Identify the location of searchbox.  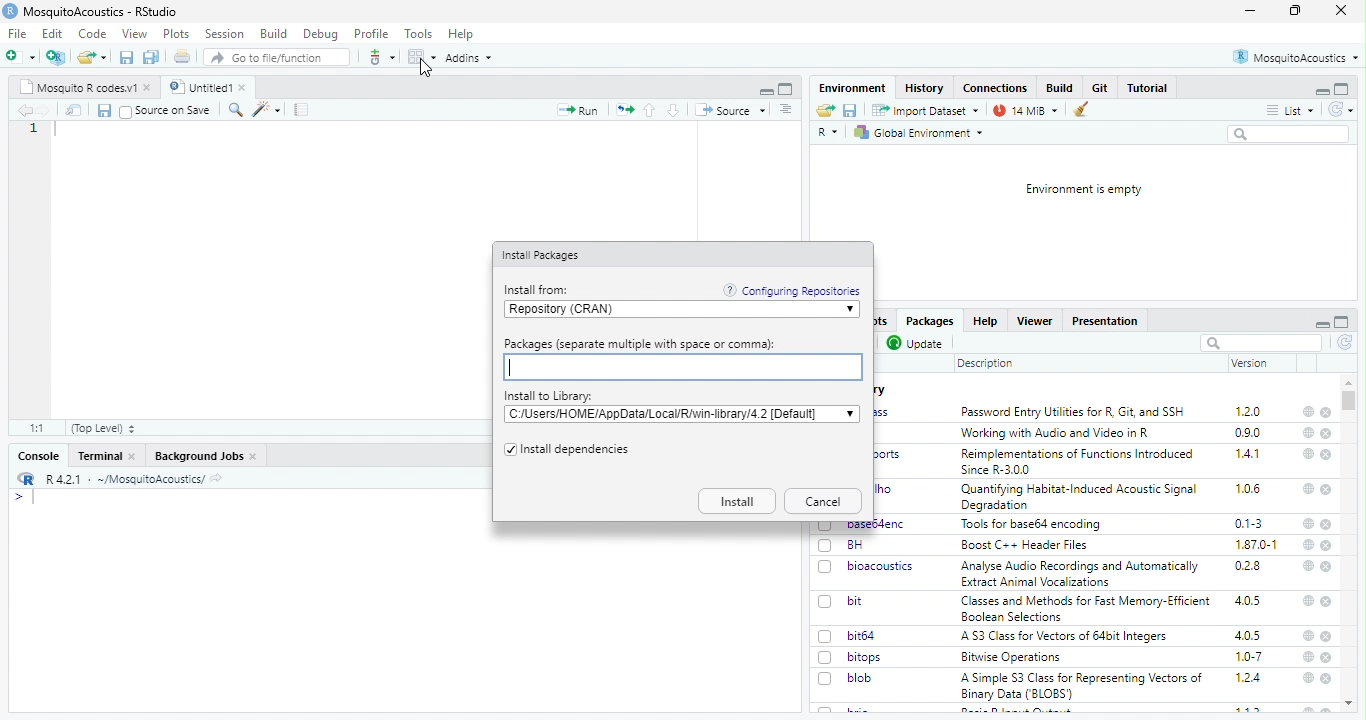
(1291, 135).